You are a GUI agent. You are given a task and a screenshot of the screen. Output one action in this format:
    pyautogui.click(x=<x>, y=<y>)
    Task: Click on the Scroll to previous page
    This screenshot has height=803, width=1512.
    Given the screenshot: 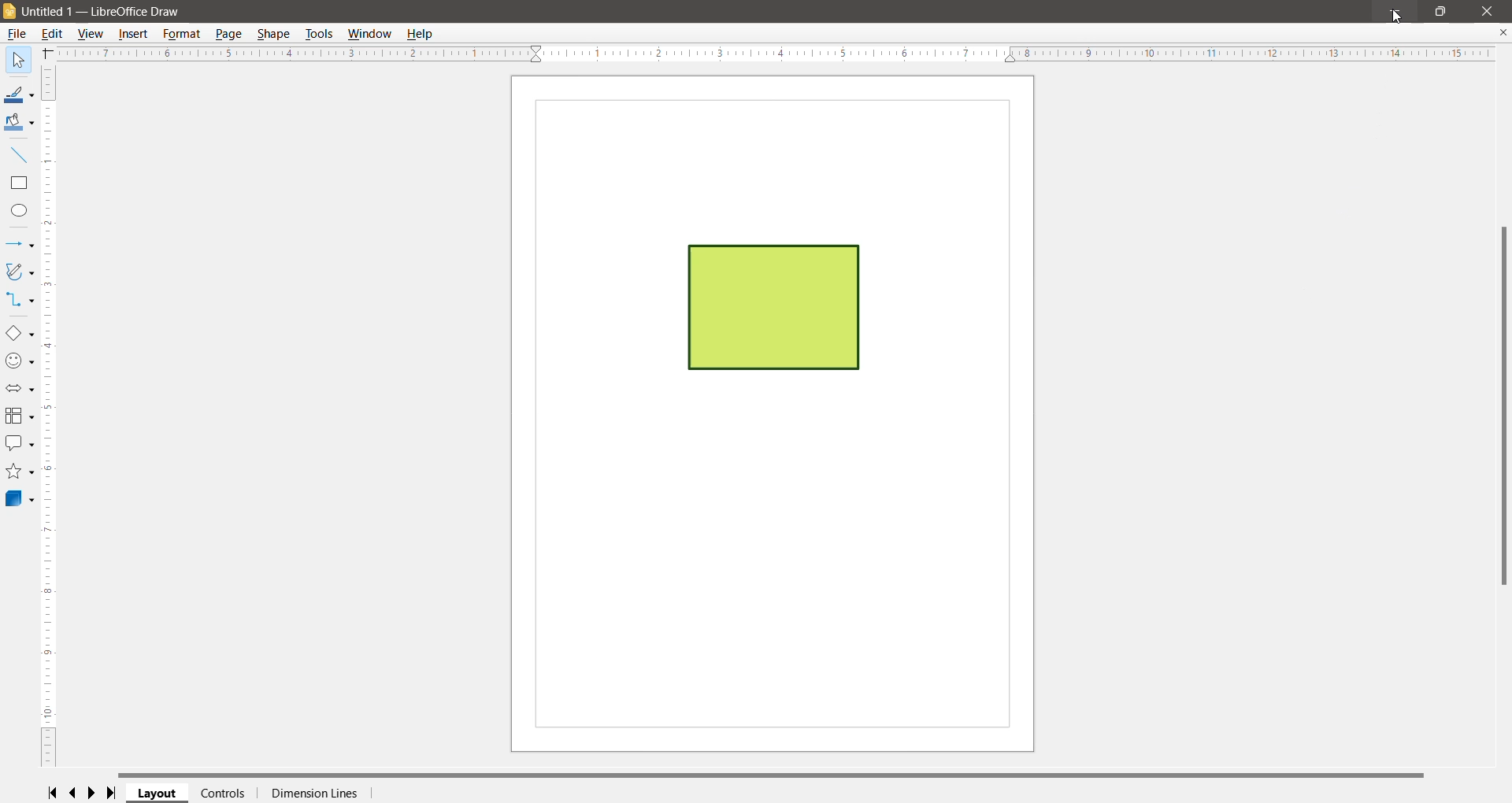 What is the action you would take?
    pyautogui.click(x=74, y=794)
    